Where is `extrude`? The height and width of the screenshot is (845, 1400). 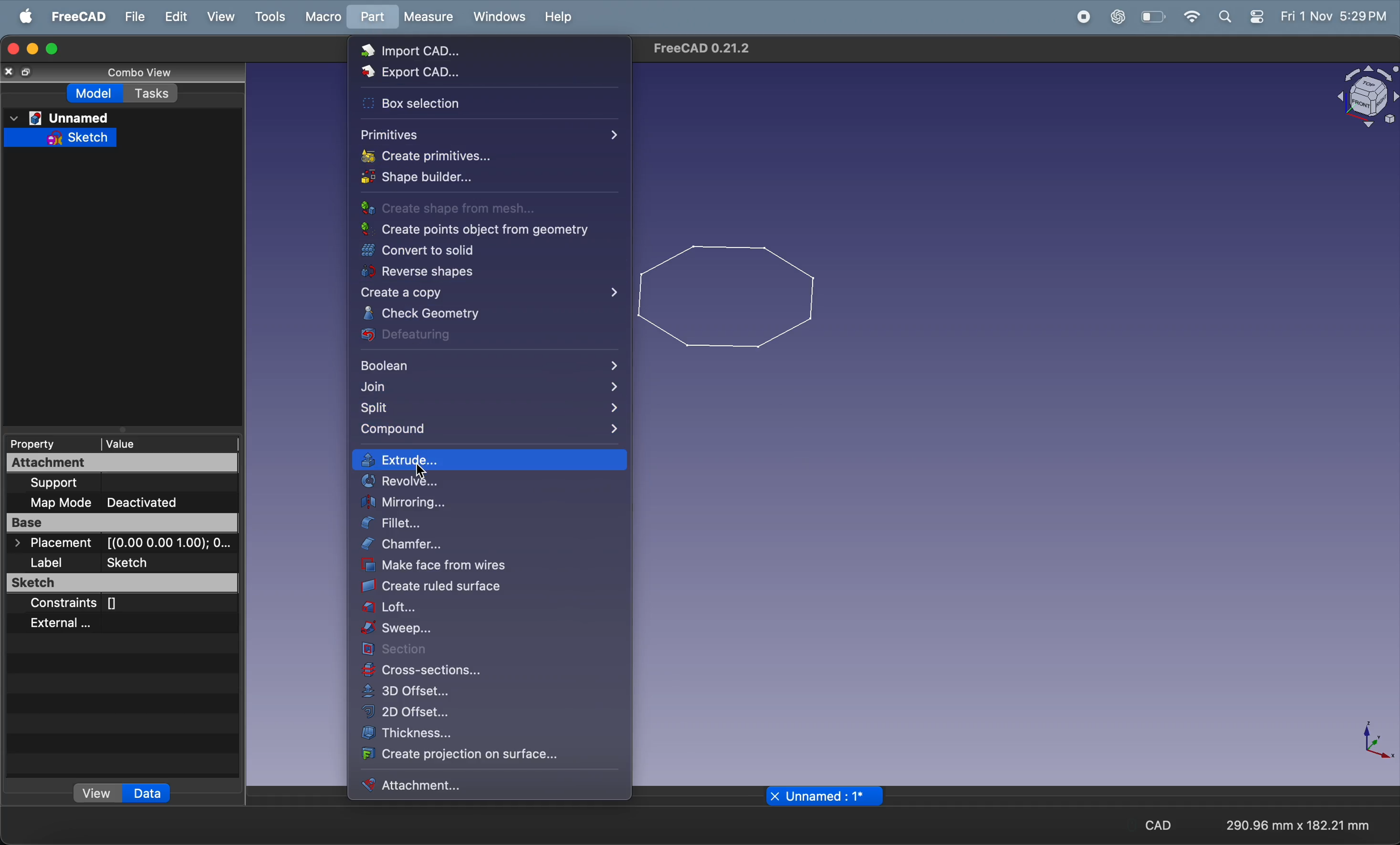
extrude is located at coordinates (492, 459).